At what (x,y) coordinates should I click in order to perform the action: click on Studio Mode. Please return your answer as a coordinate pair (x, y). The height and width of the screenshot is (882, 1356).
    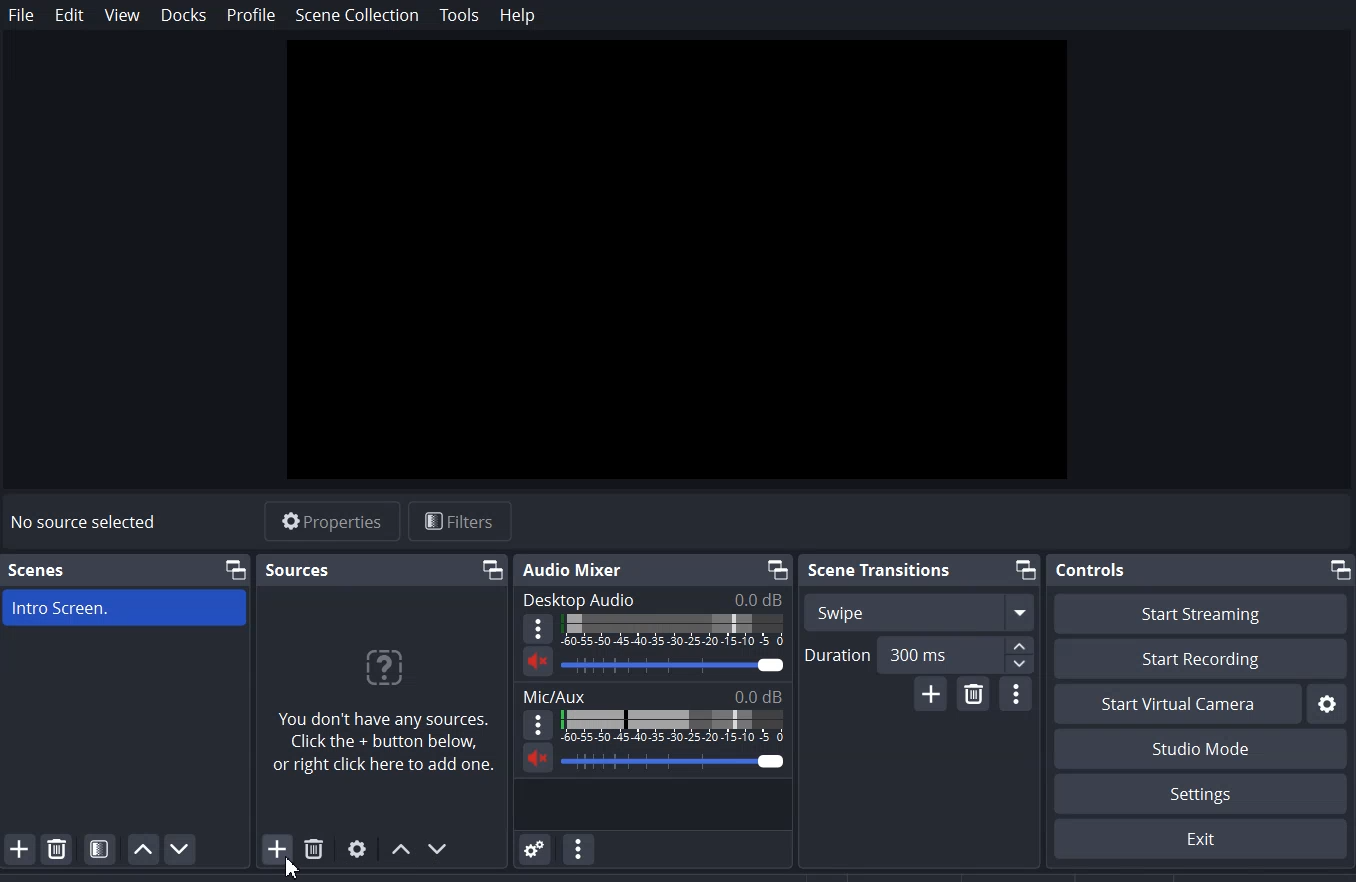
    Looking at the image, I should click on (1199, 749).